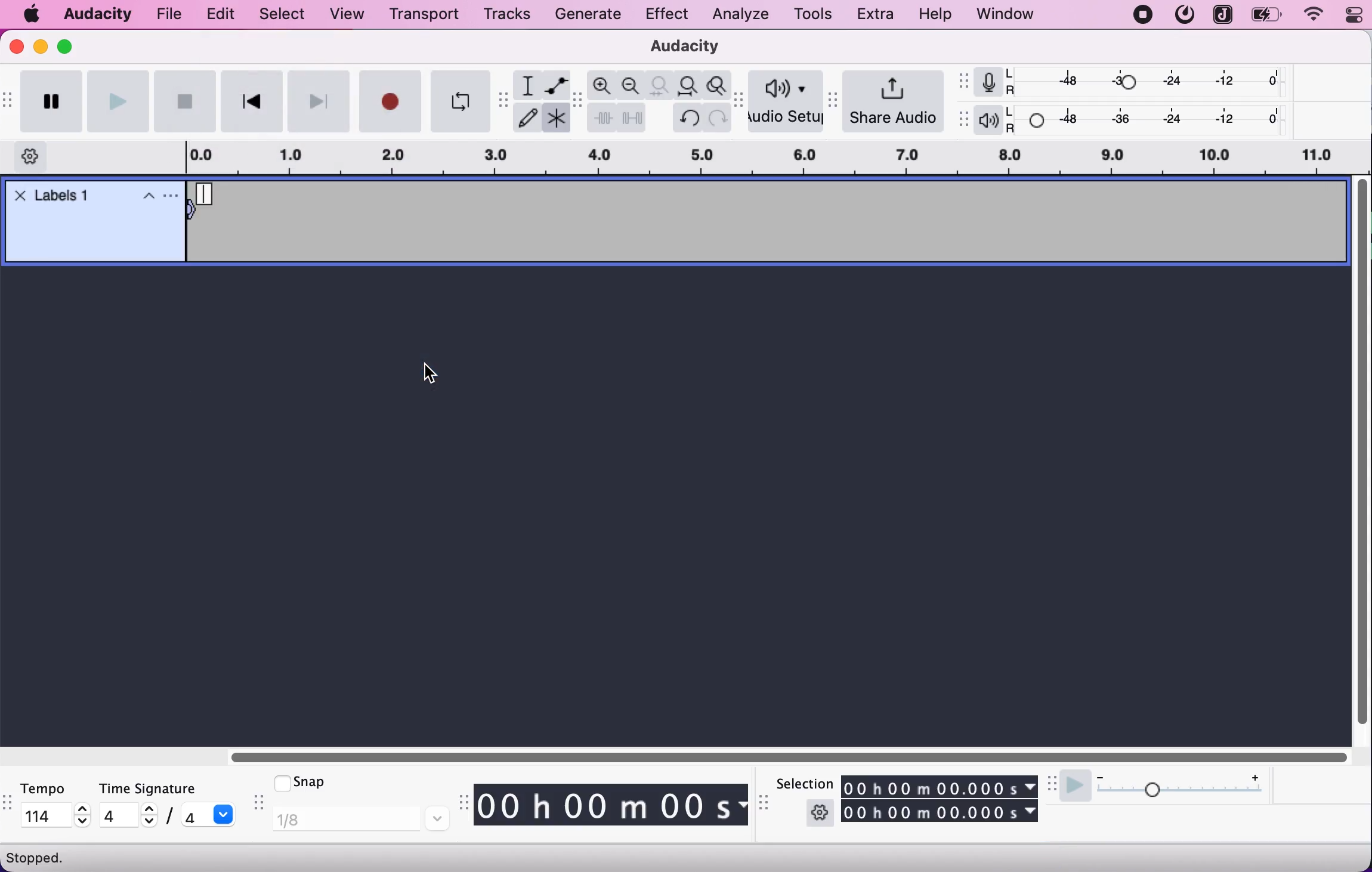  What do you see at coordinates (53, 99) in the screenshot?
I see `pause` at bounding box center [53, 99].